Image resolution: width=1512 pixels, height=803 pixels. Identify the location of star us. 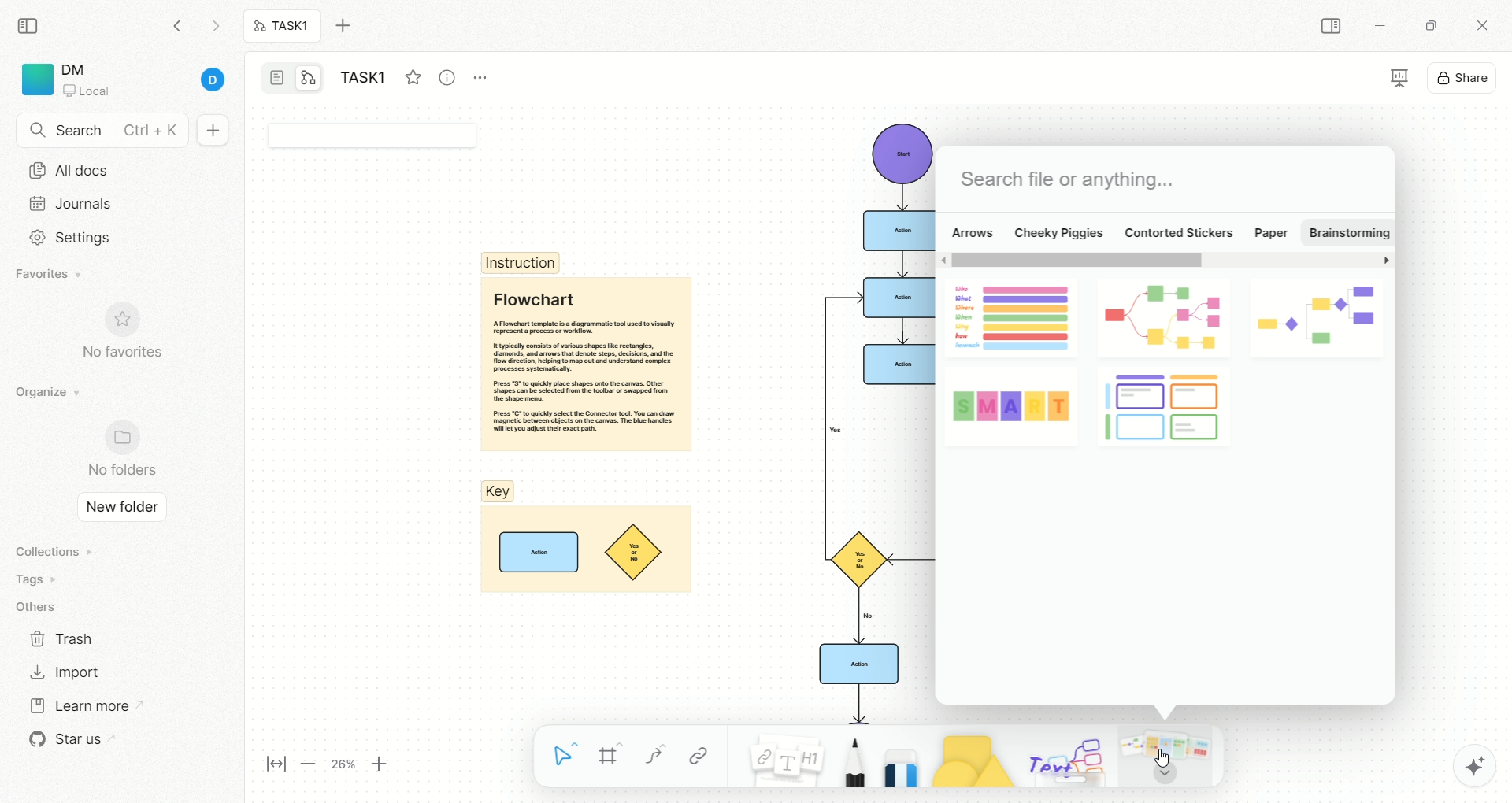
(67, 739).